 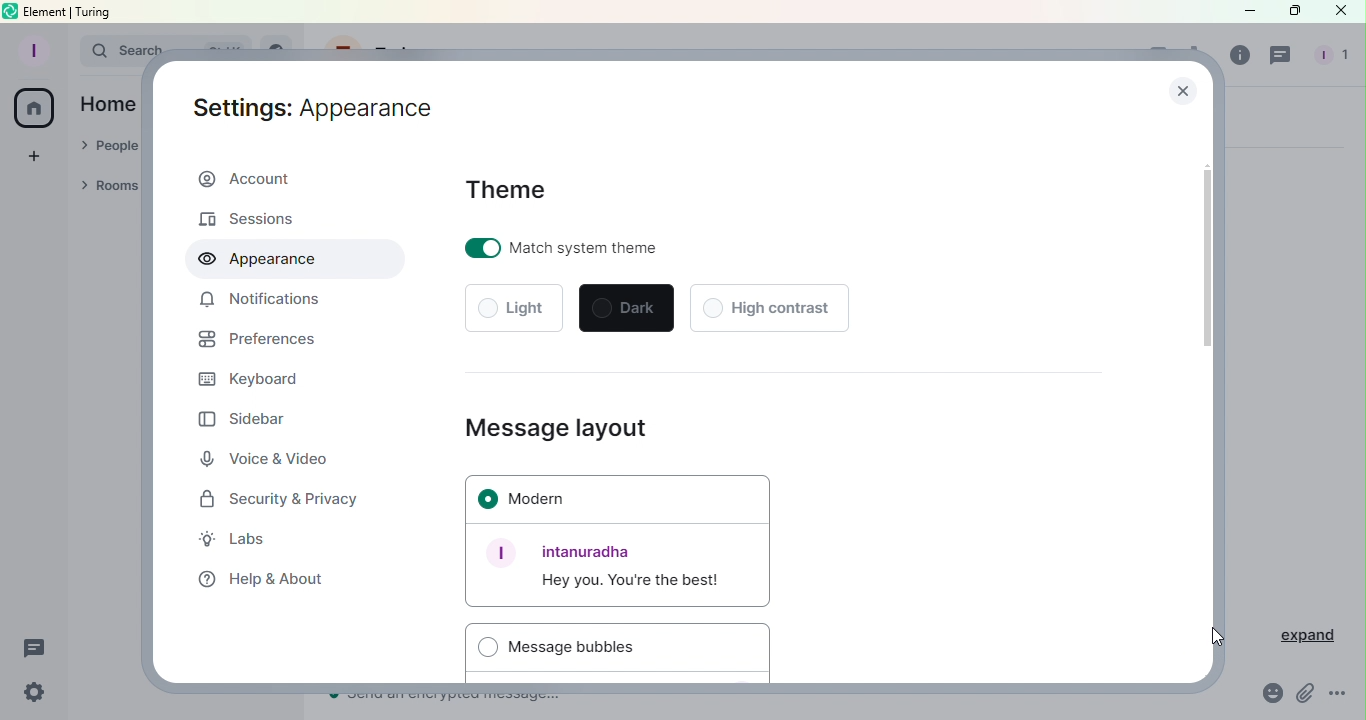 I want to click on Expand, so click(x=1298, y=636).